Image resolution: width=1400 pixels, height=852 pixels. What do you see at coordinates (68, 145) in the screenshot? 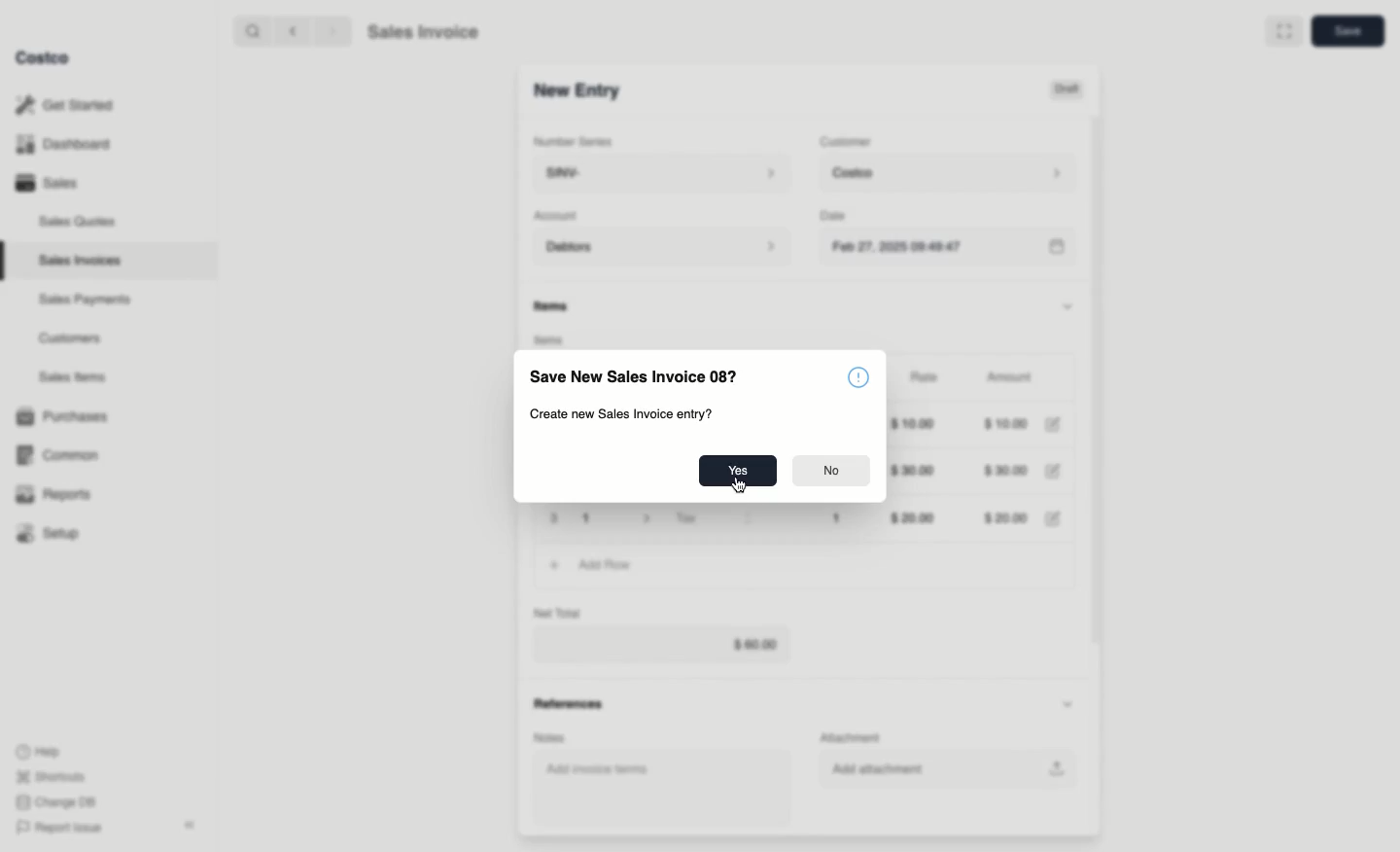
I see `Dashboard` at bounding box center [68, 145].